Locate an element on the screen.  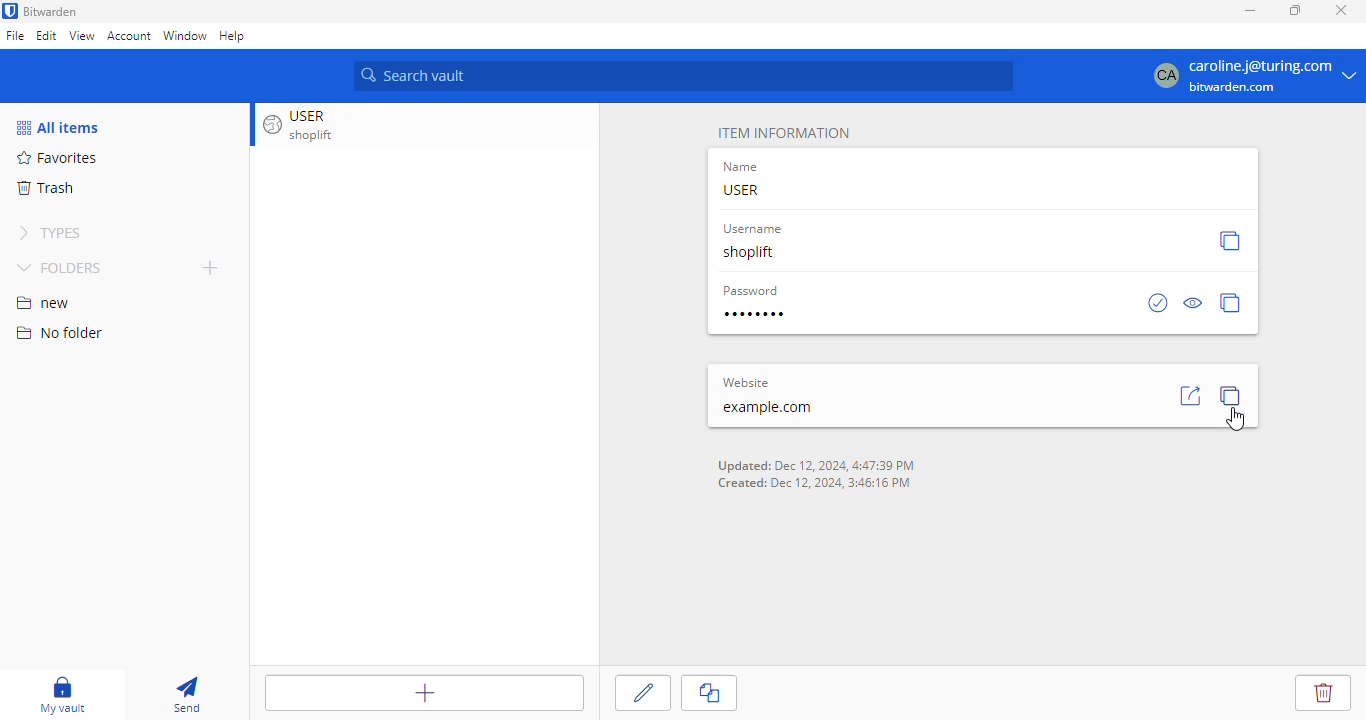
shoplift is located at coordinates (749, 253).